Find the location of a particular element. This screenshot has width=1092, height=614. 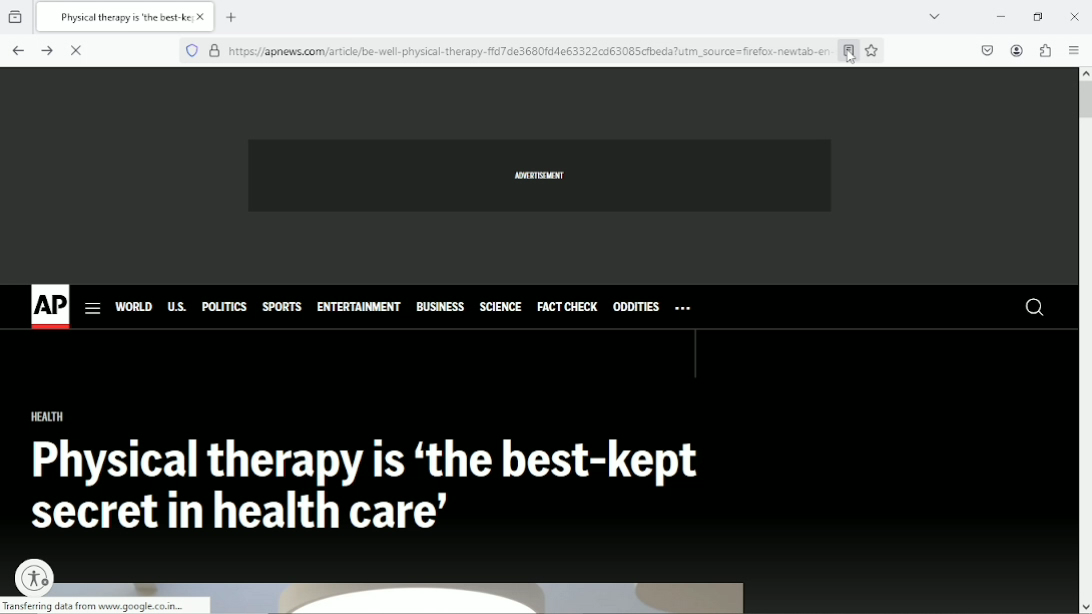

MENU is located at coordinates (94, 307).